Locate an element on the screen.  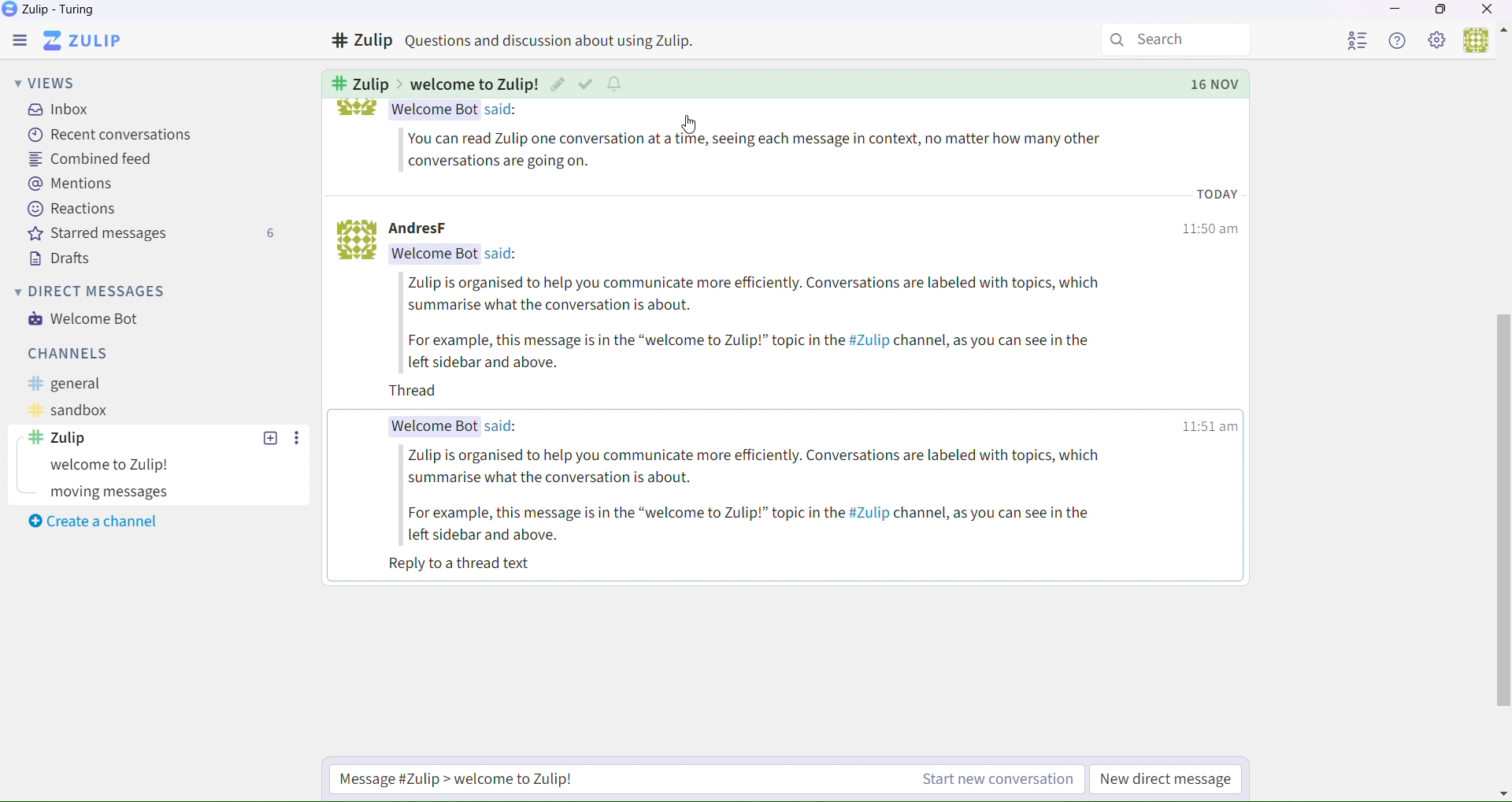
horizontal scroll bar is located at coordinates (1501, 422).